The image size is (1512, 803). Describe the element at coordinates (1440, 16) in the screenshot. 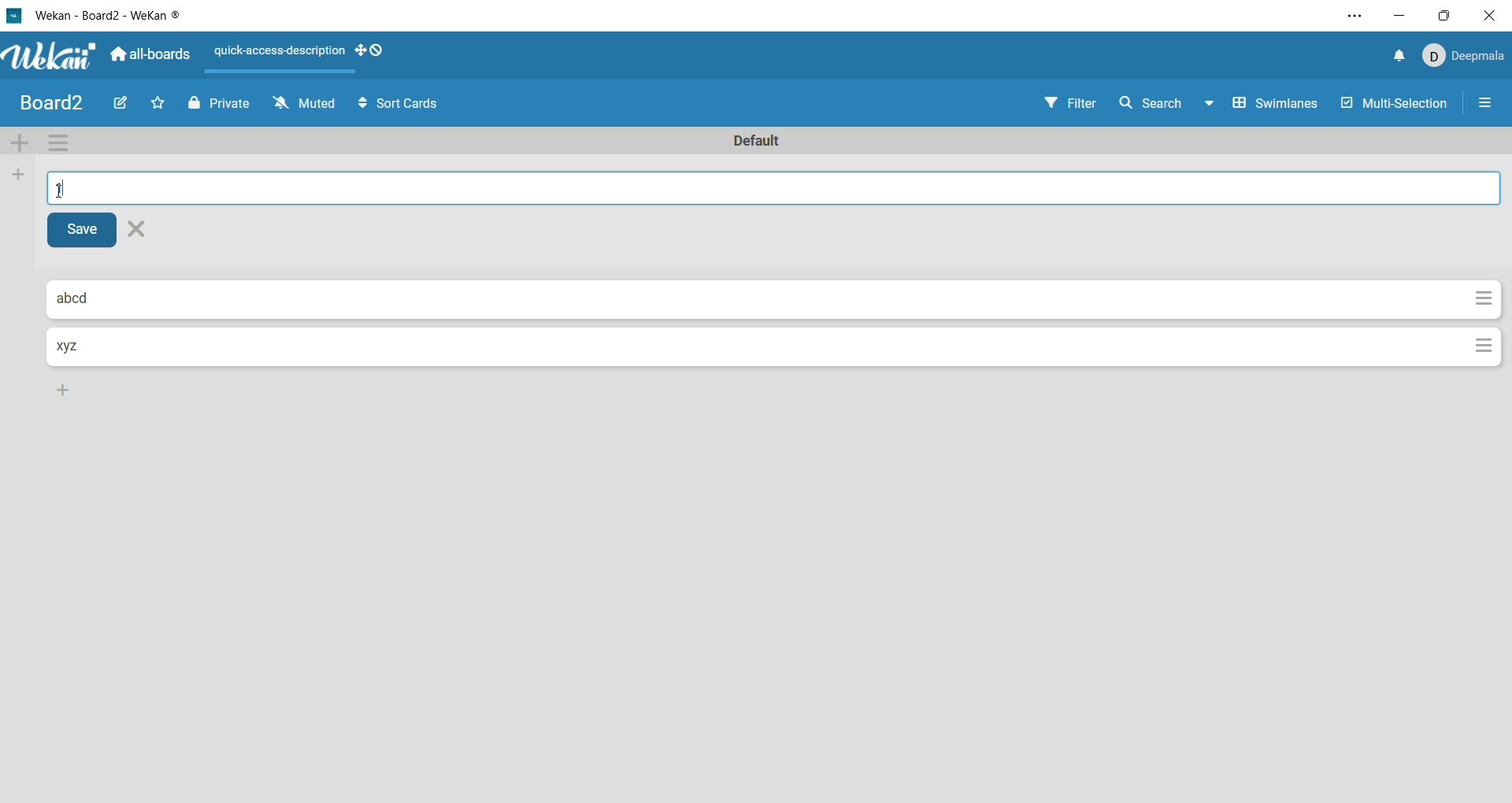

I see `maximize` at that location.